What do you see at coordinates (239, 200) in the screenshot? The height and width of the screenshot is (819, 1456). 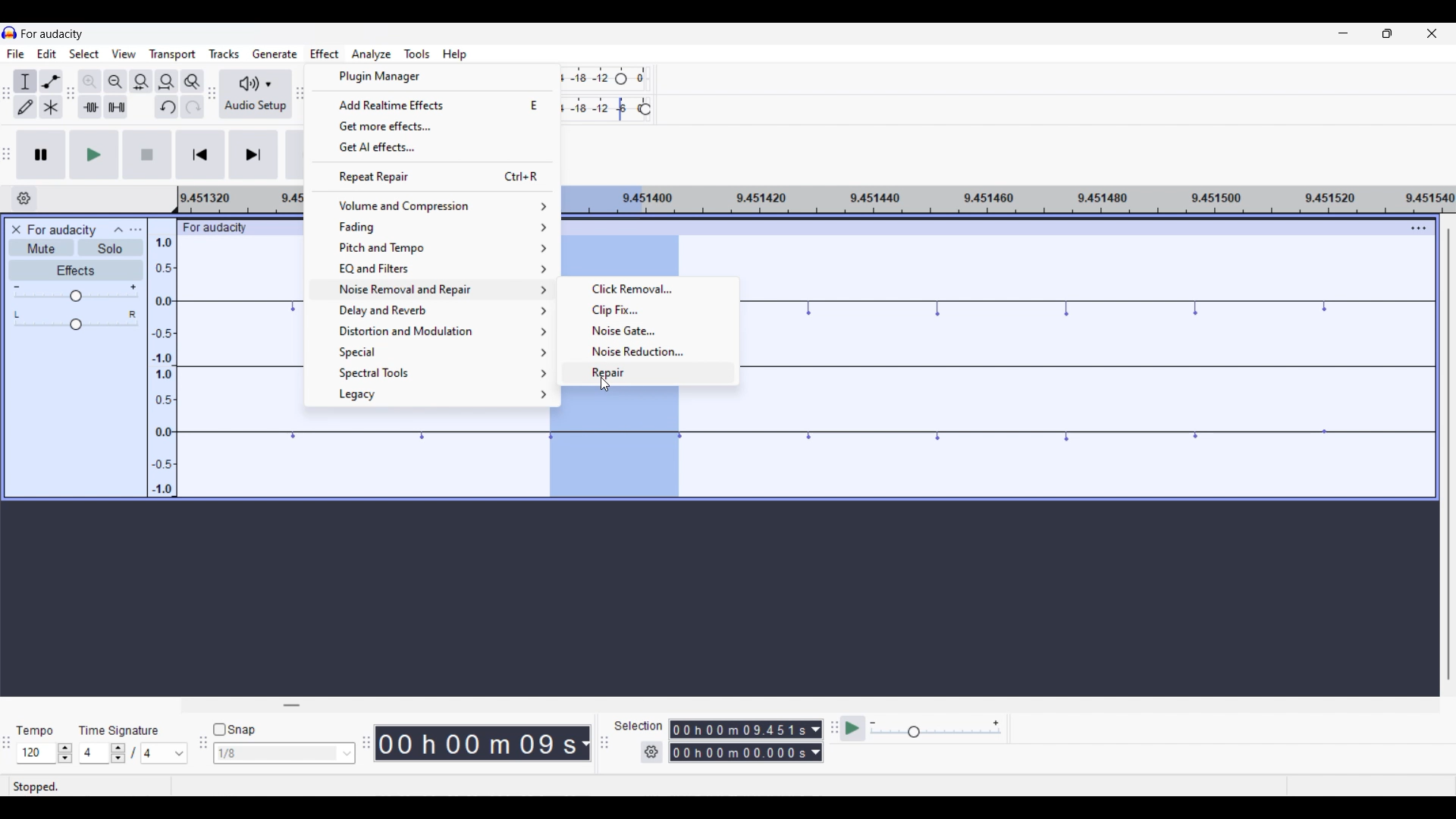 I see `Scale for measuring length of track` at bounding box center [239, 200].